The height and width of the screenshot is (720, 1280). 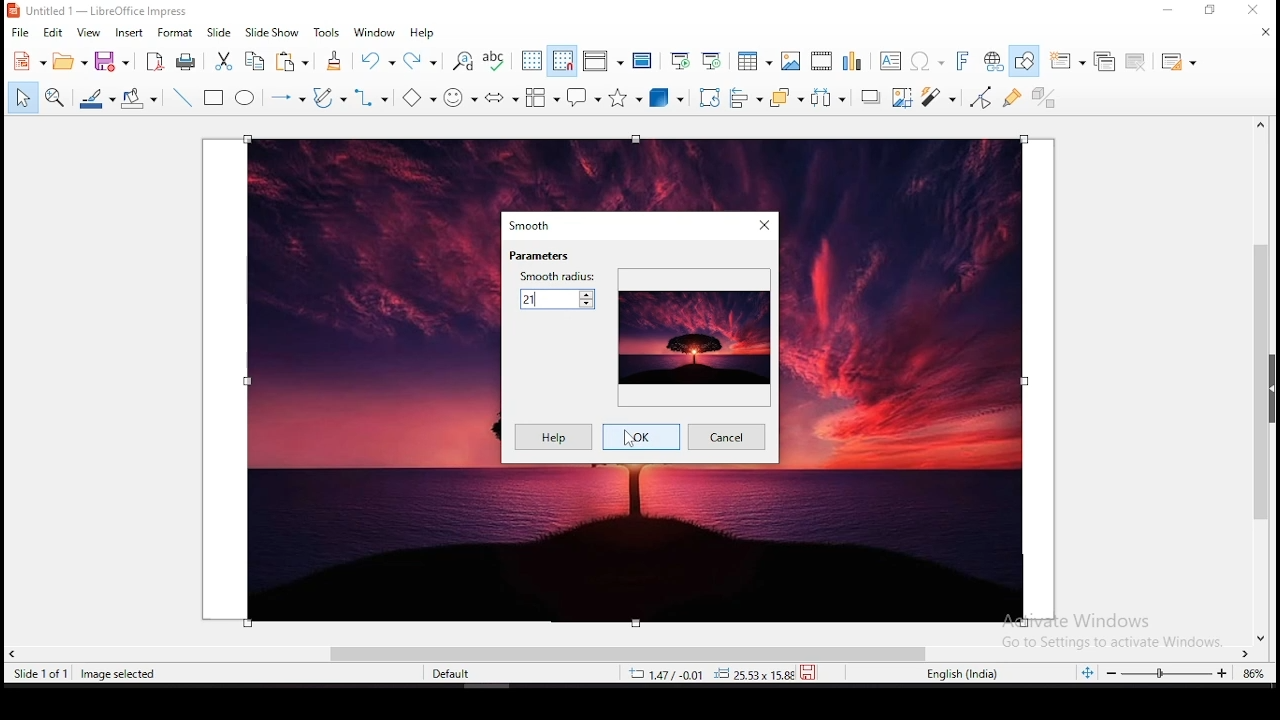 What do you see at coordinates (680, 59) in the screenshot?
I see `start from first slide` at bounding box center [680, 59].